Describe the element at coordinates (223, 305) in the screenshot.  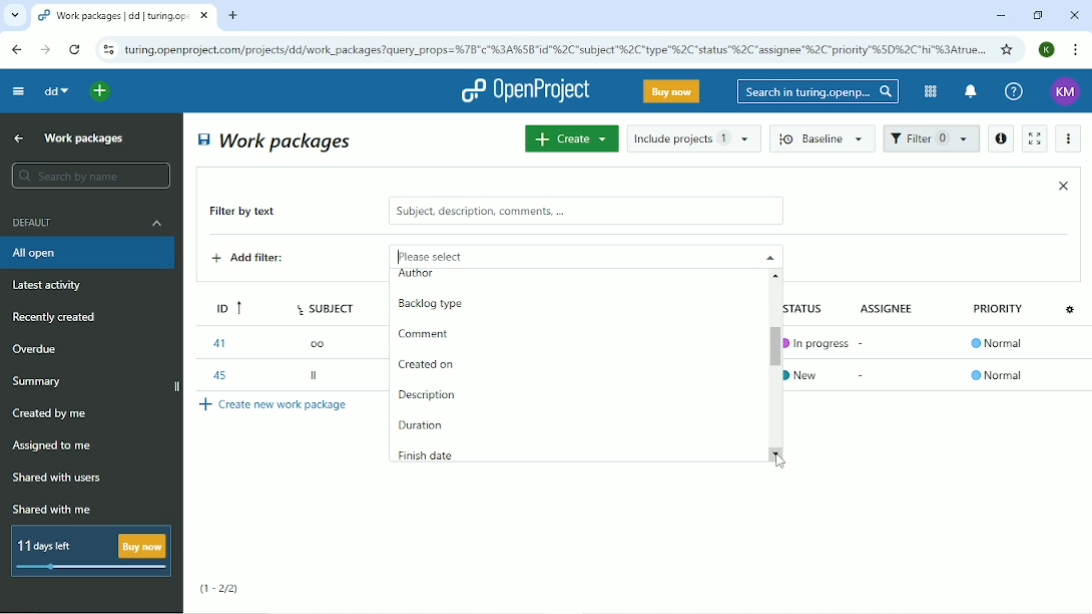
I see `ID` at that location.